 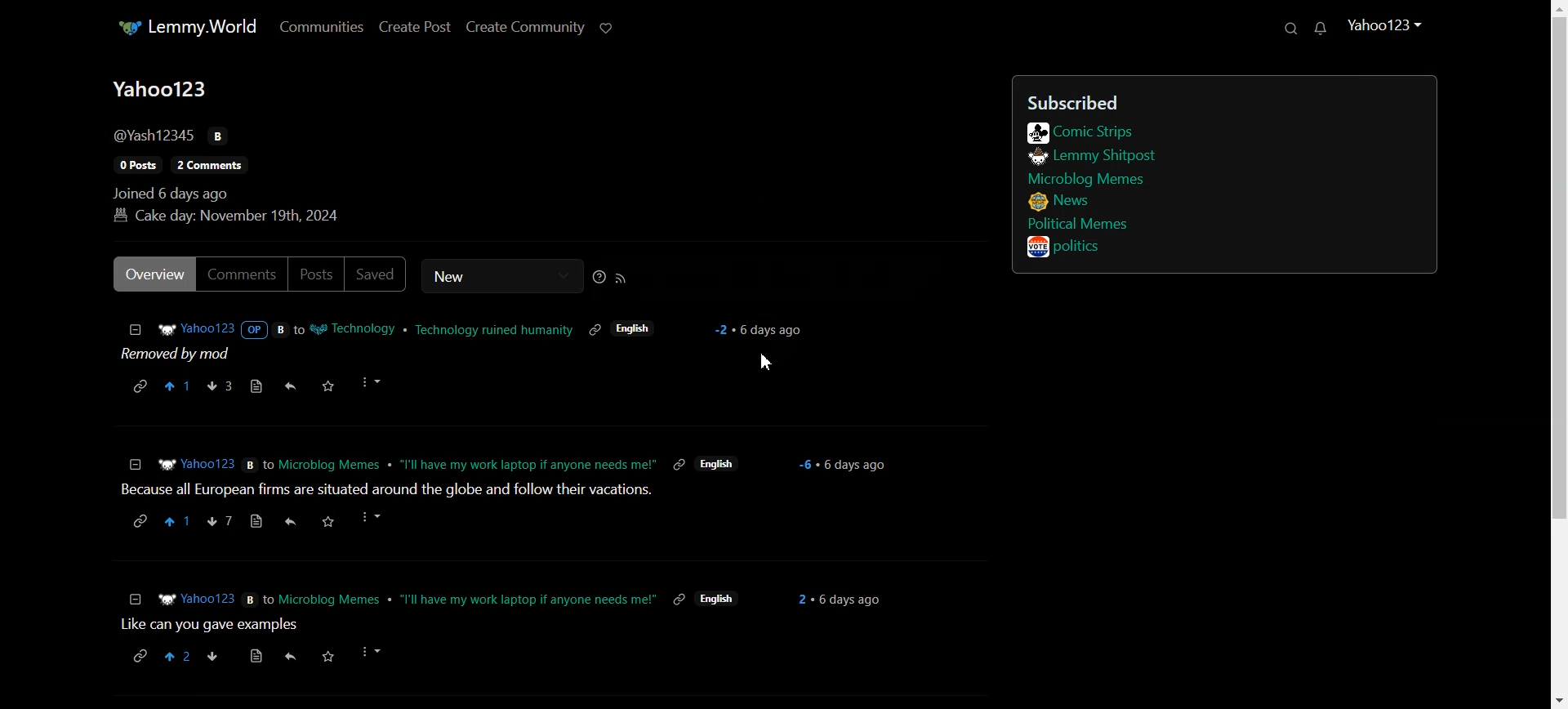 What do you see at coordinates (371, 382) in the screenshot?
I see `More` at bounding box center [371, 382].